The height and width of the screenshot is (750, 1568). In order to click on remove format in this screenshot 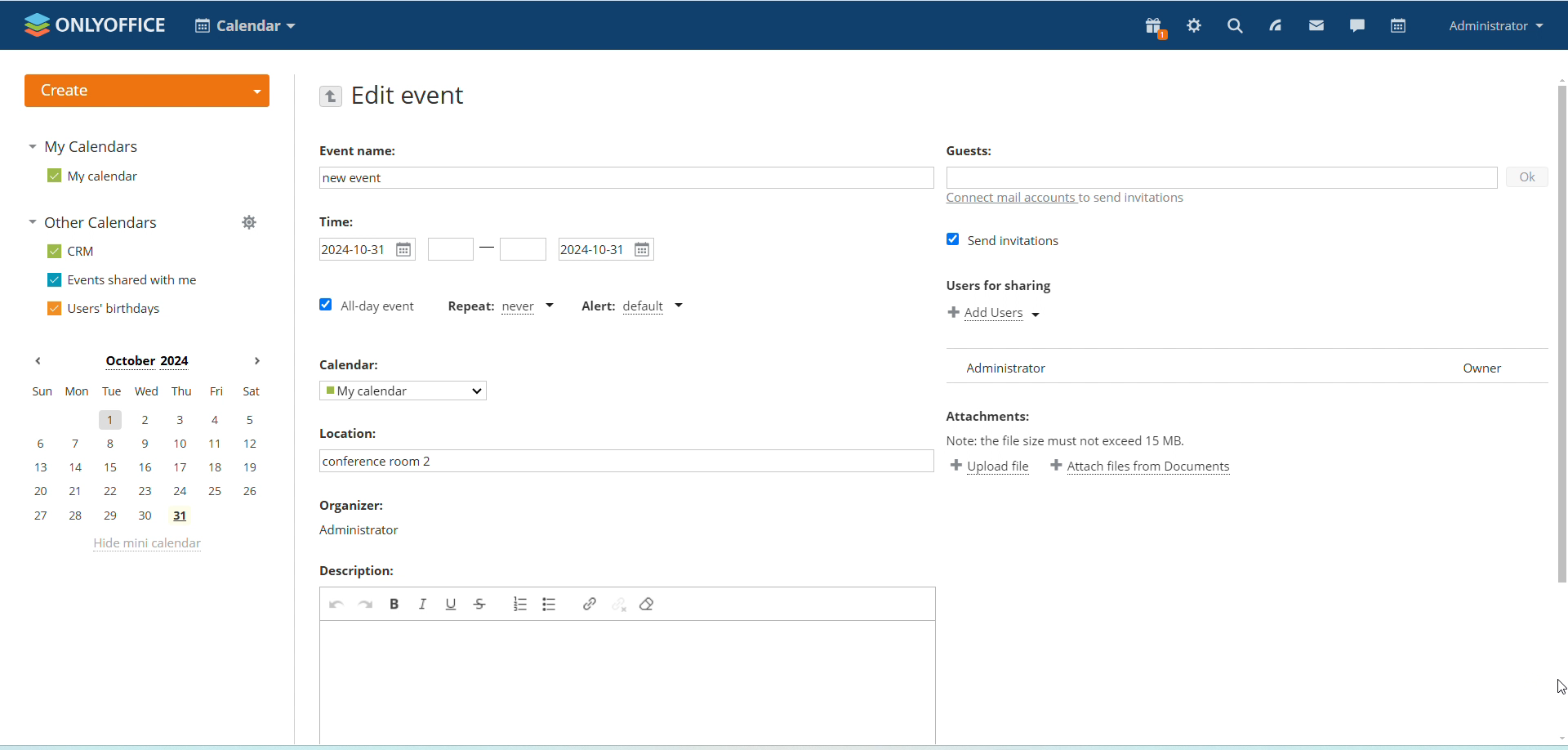, I will do `click(648, 603)`.